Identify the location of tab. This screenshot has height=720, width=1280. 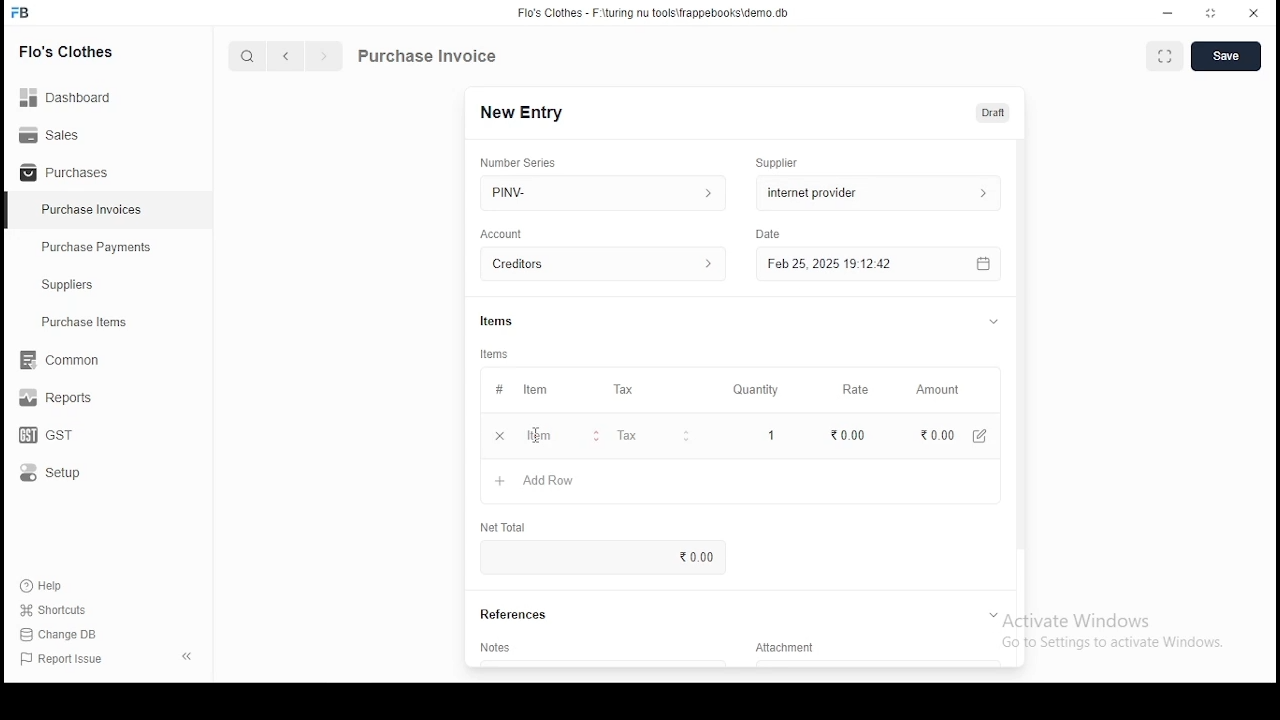
(993, 322).